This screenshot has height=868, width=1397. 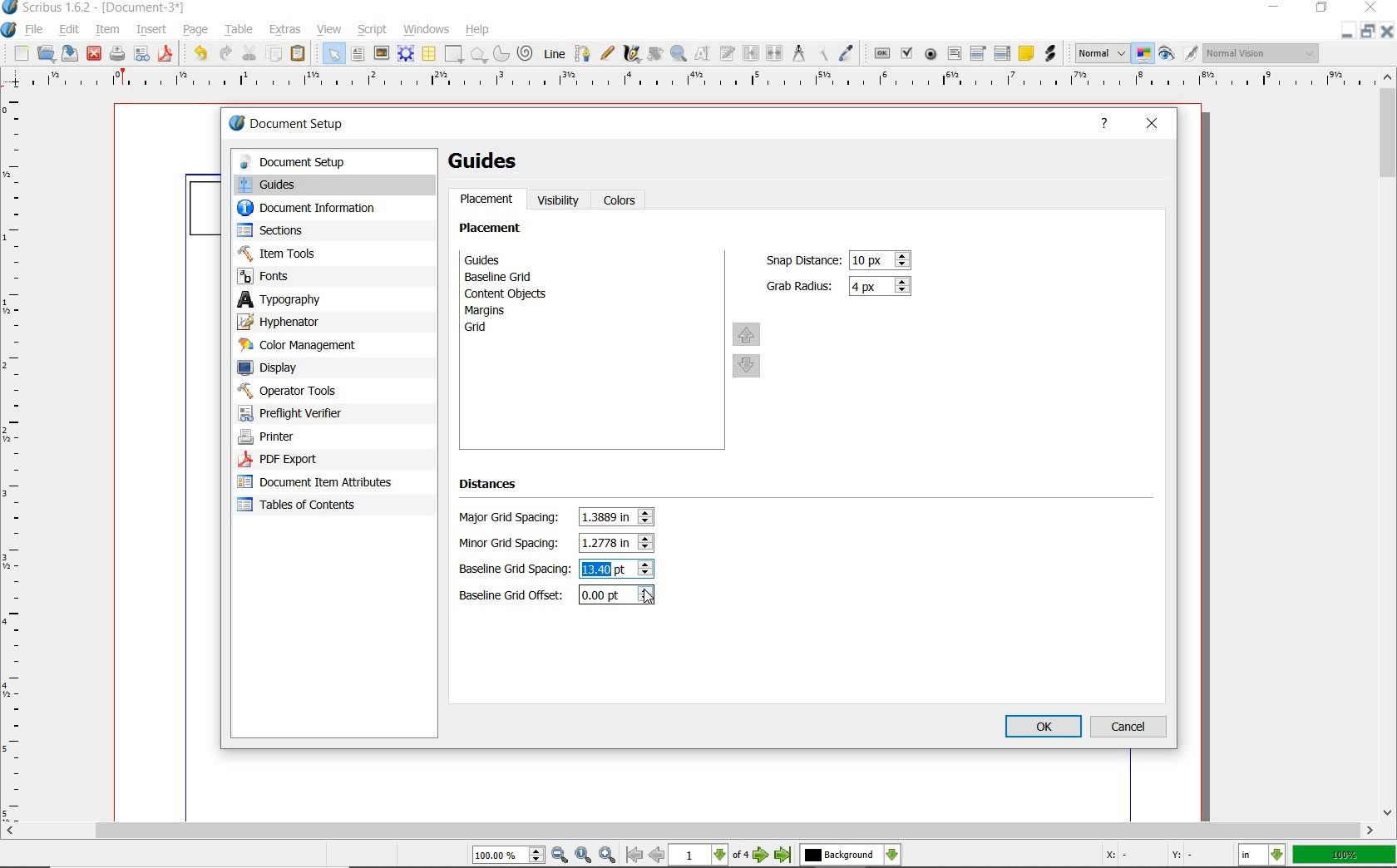 What do you see at coordinates (1025, 52) in the screenshot?
I see `text annotation` at bounding box center [1025, 52].